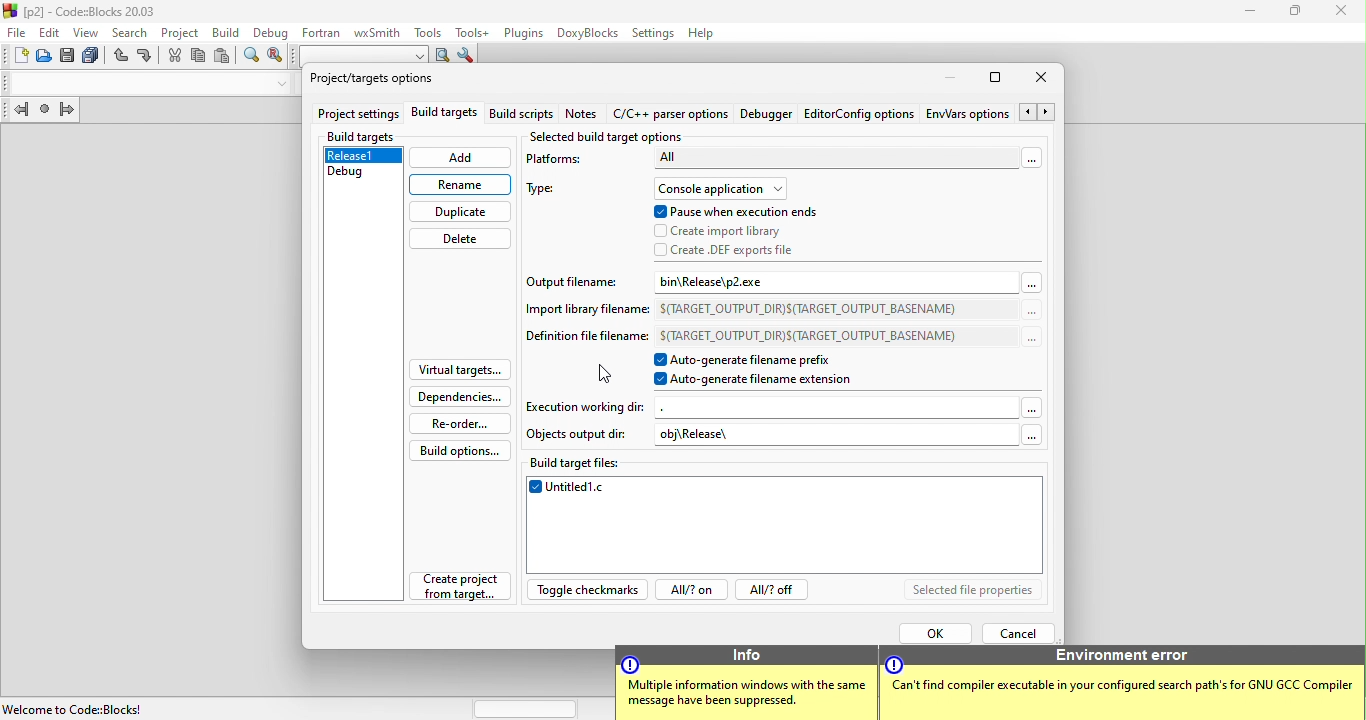 The width and height of the screenshot is (1366, 720). Describe the element at coordinates (463, 423) in the screenshot. I see `re order` at that location.